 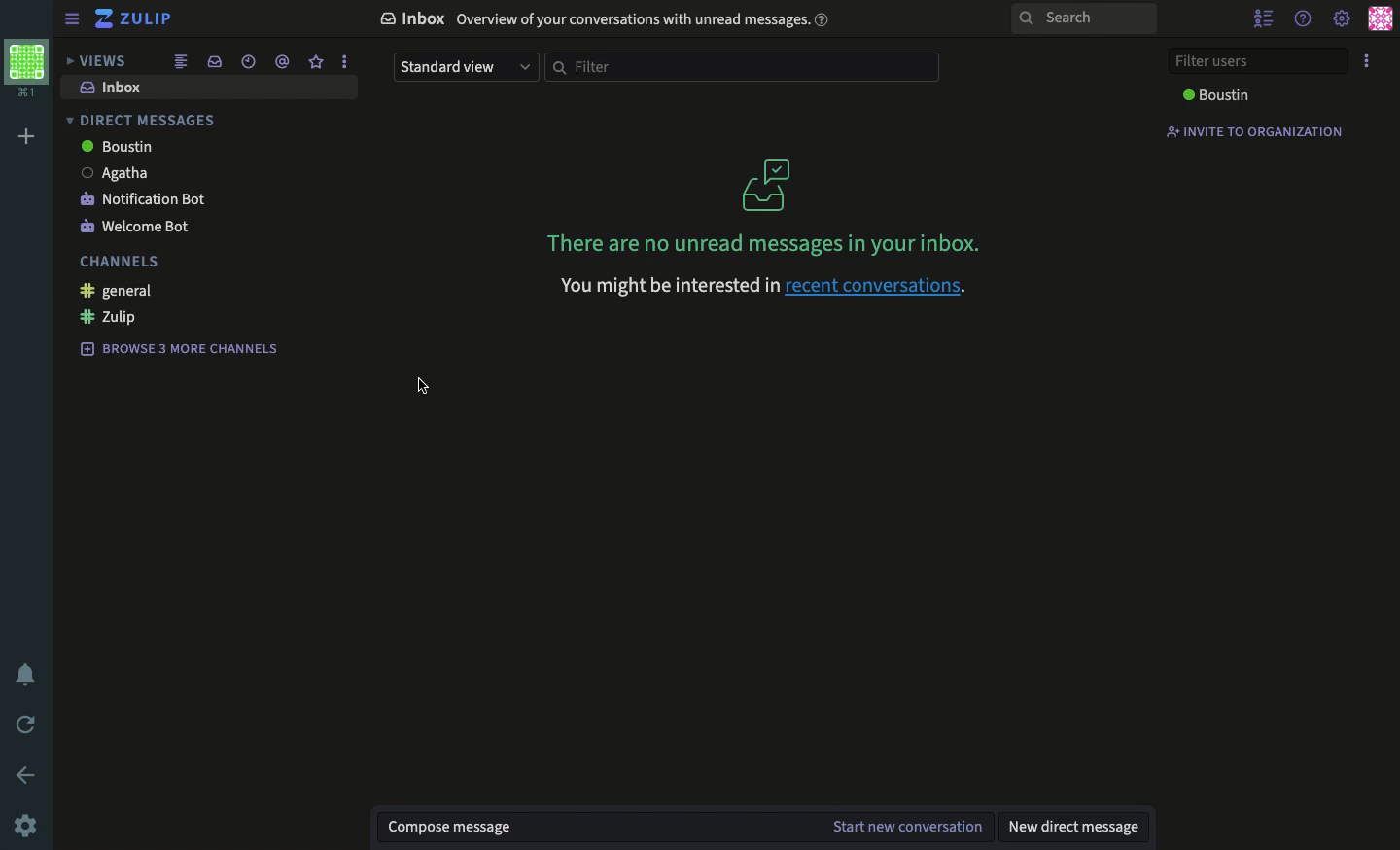 I want to click on hide user list, so click(x=1264, y=20).